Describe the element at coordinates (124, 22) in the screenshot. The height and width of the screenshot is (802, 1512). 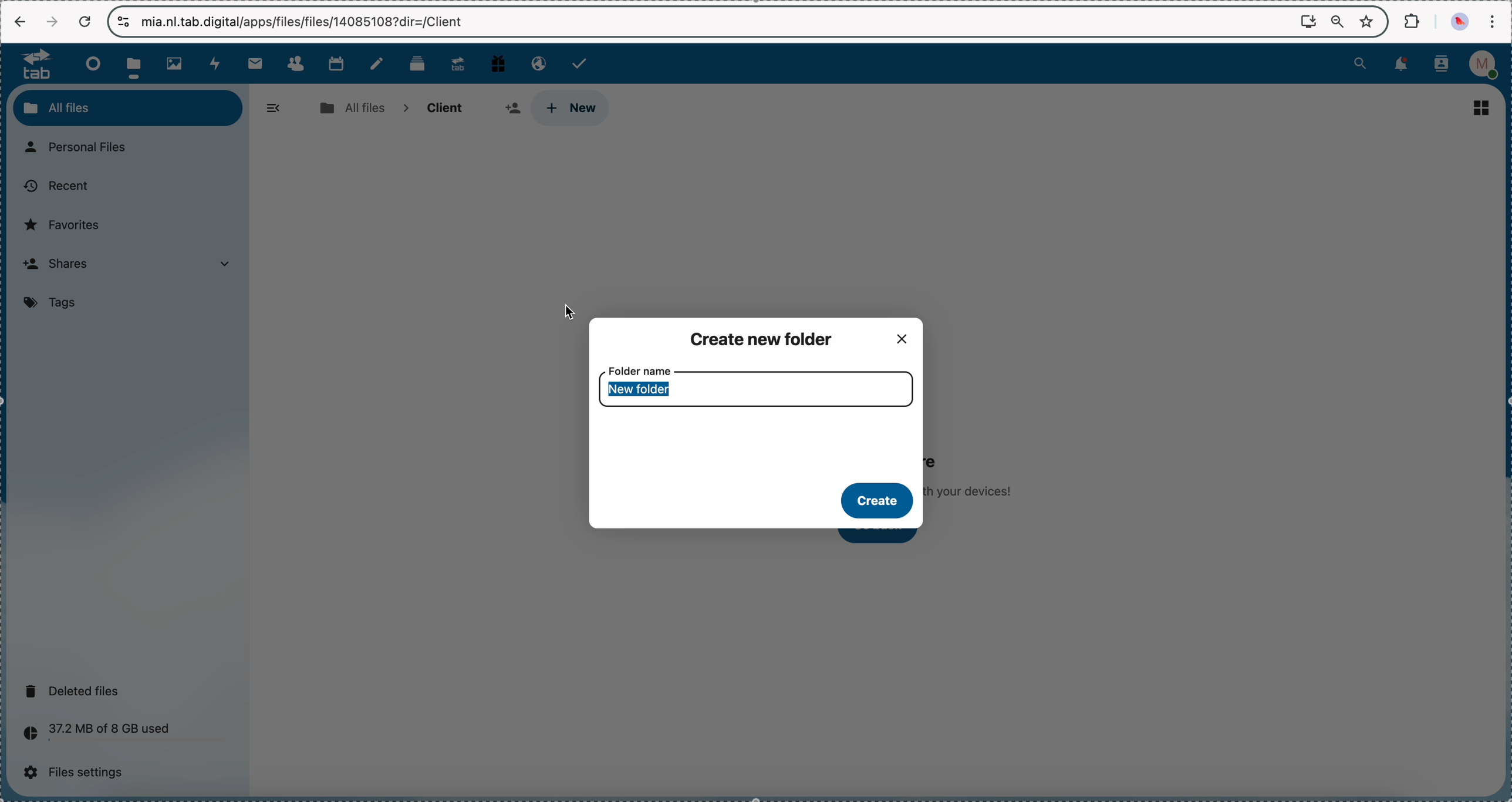
I see `controls` at that location.